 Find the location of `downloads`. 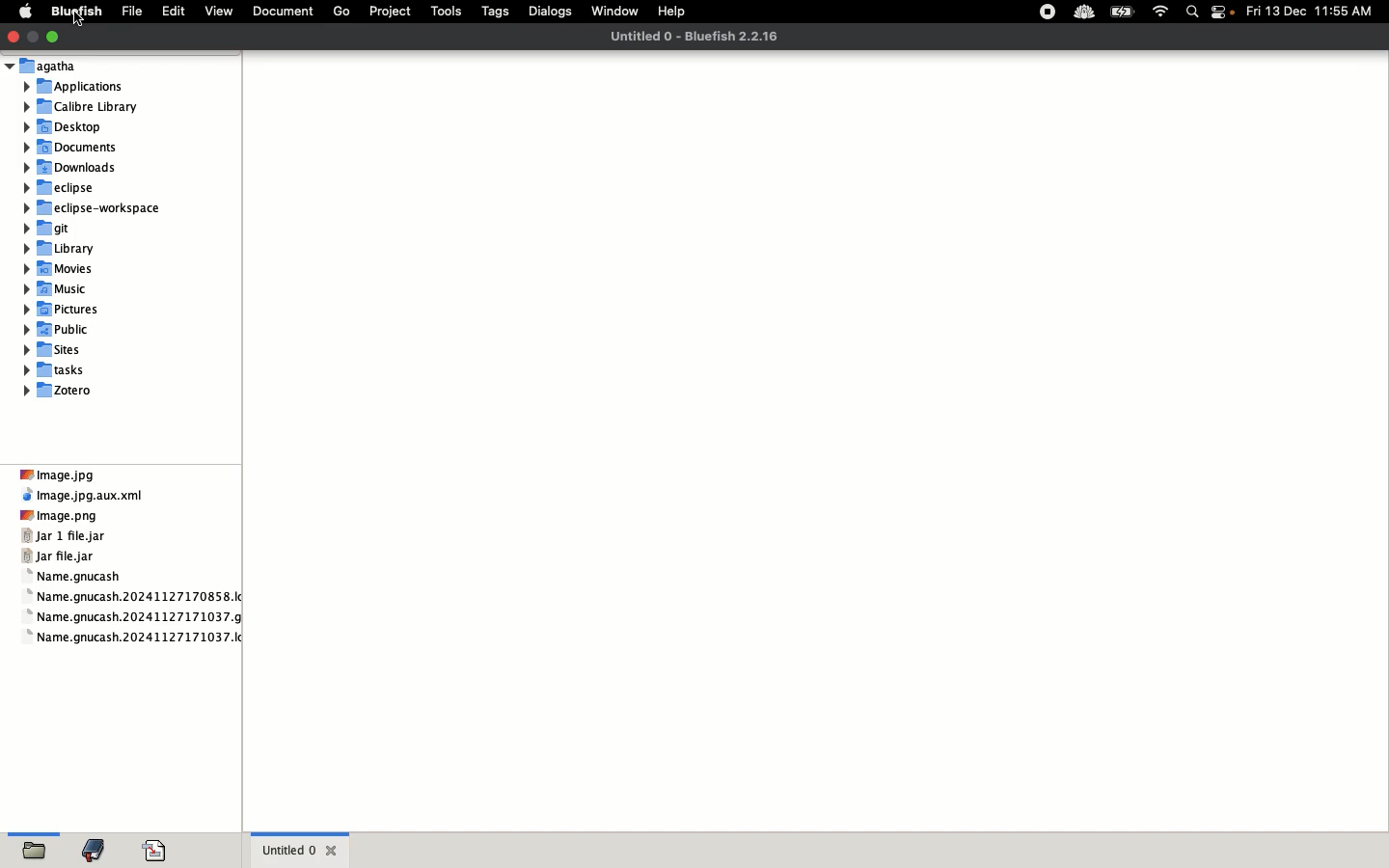

downloads is located at coordinates (71, 167).